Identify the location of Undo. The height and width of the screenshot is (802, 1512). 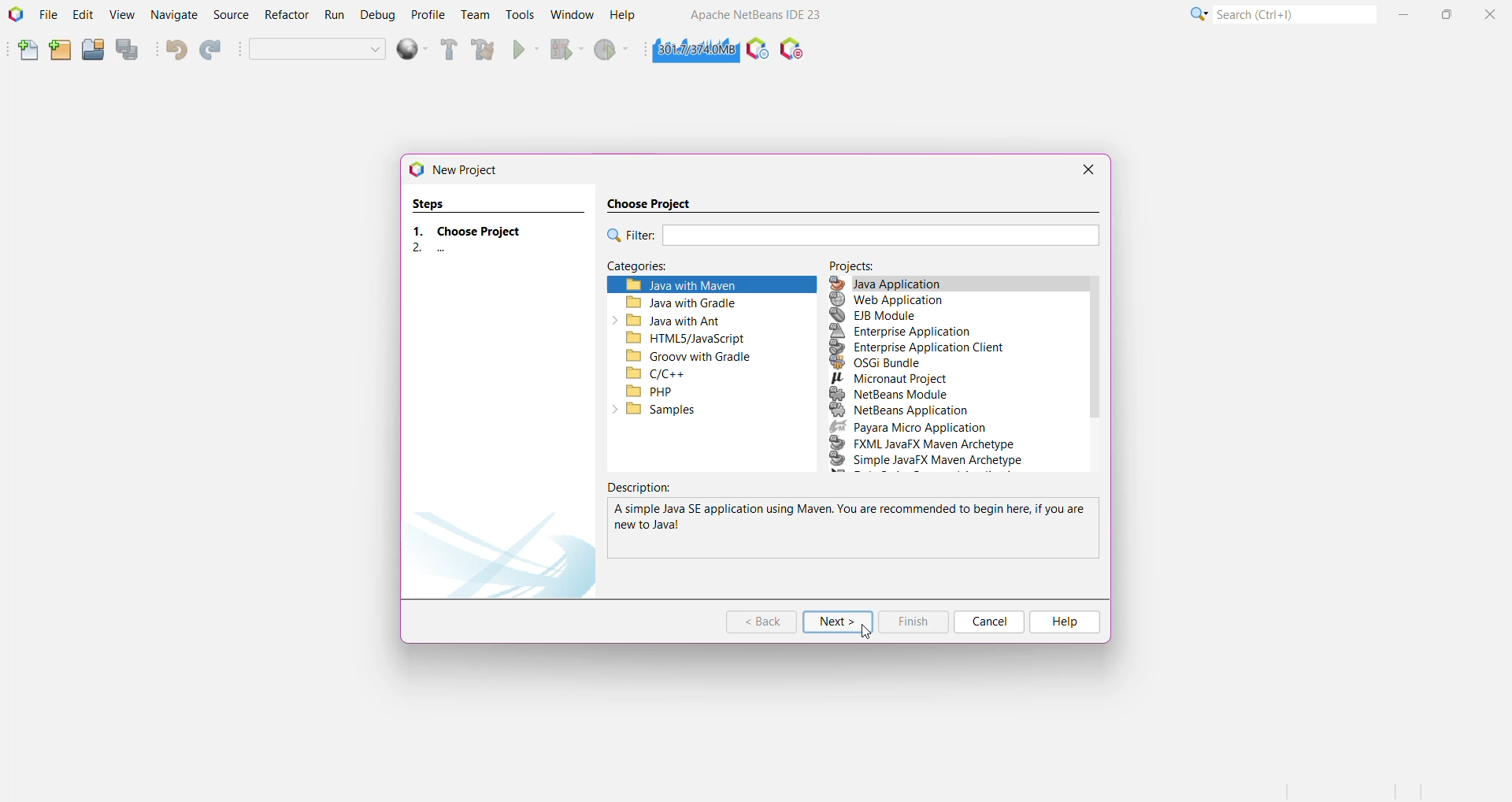
(176, 51).